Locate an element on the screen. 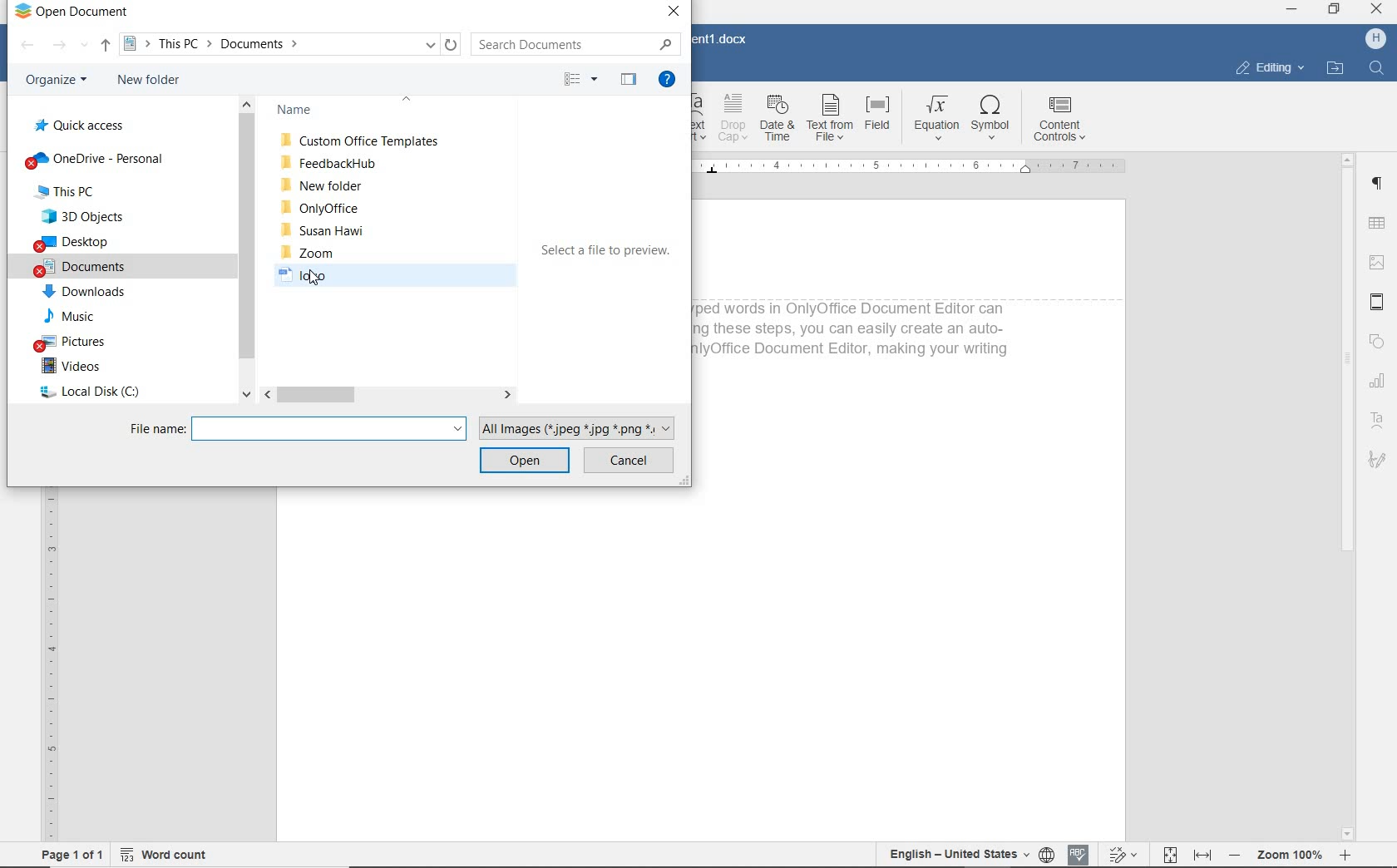  VIDEOS is located at coordinates (73, 367).